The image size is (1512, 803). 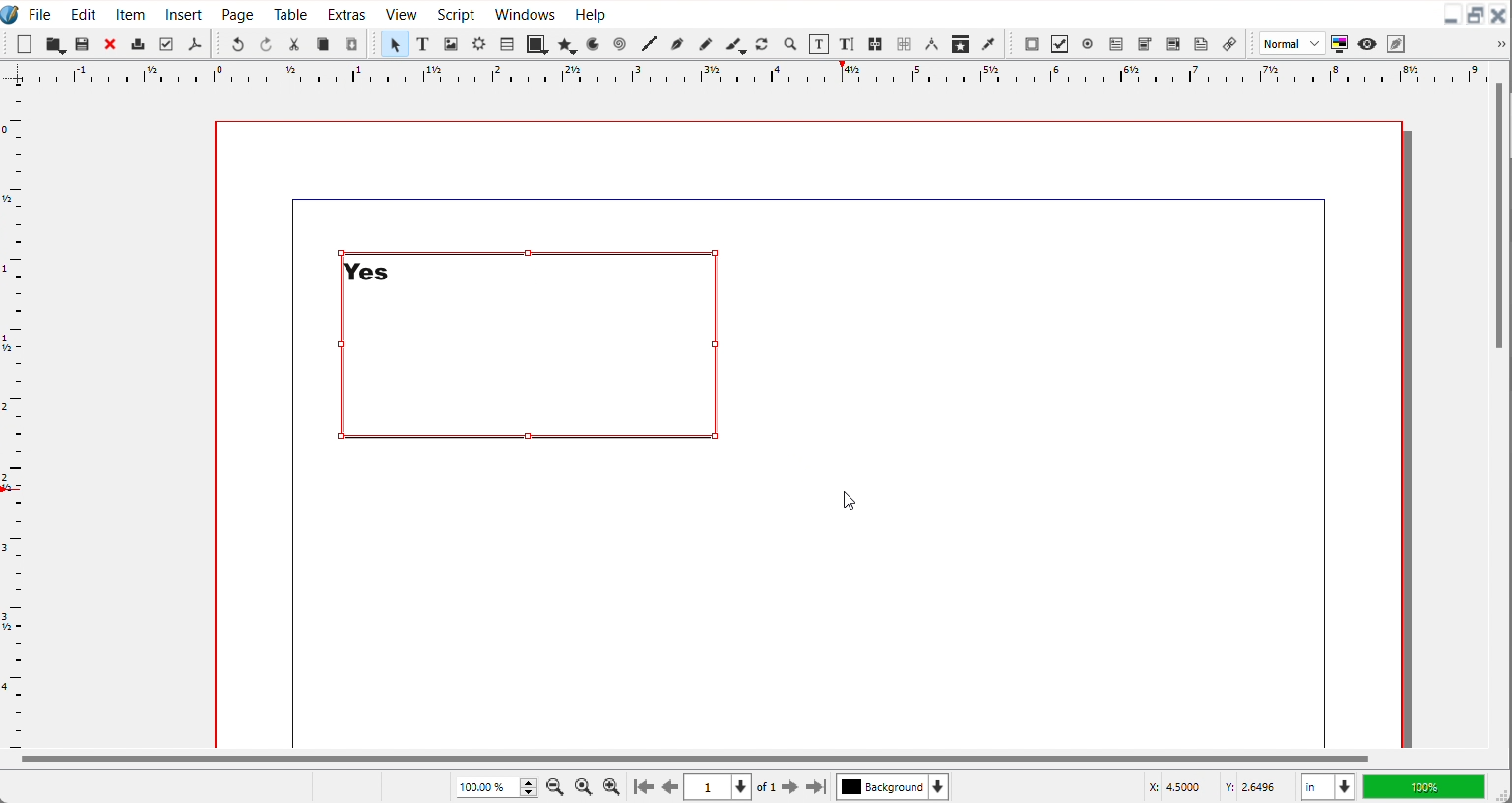 What do you see at coordinates (139, 43) in the screenshot?
I see `Print` at bounding box center [139, 43].